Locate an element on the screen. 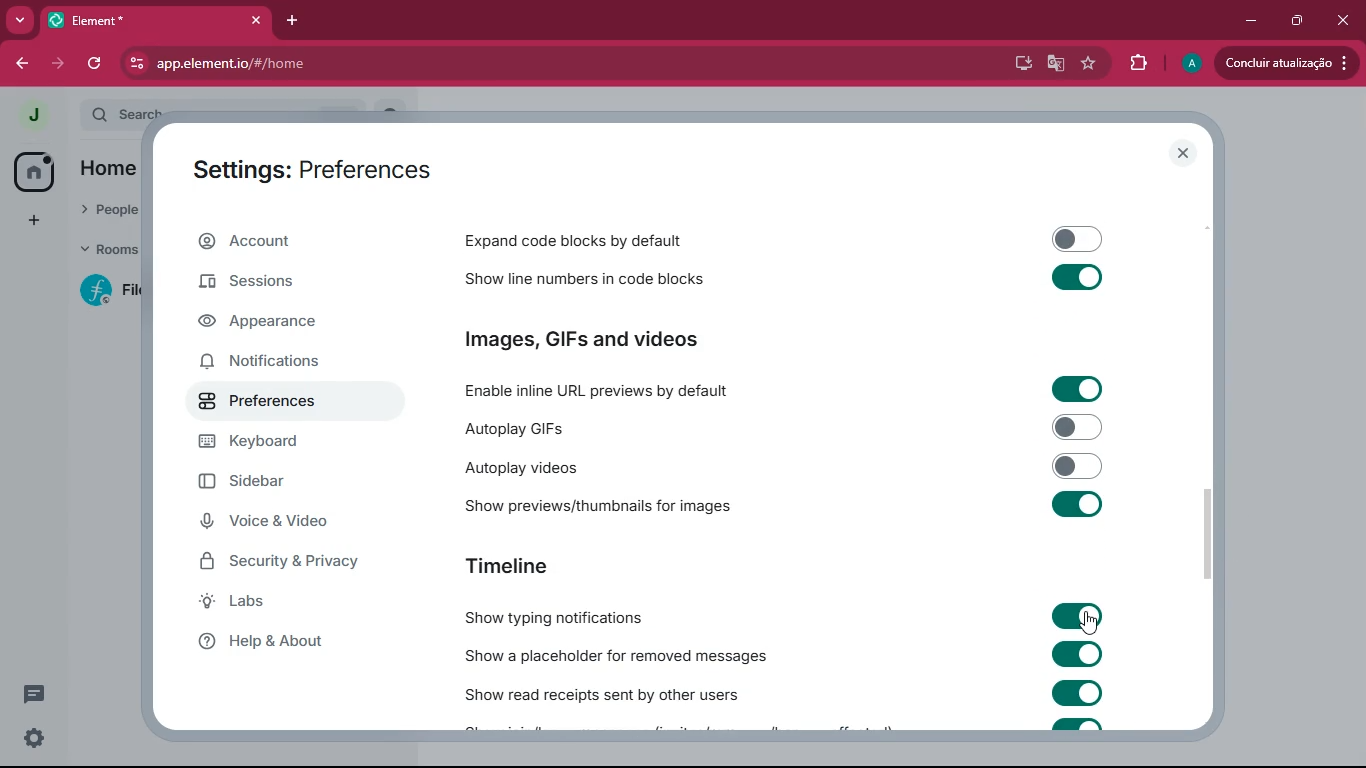  show line numbers in code blocks is located at coordinates (601, 280).